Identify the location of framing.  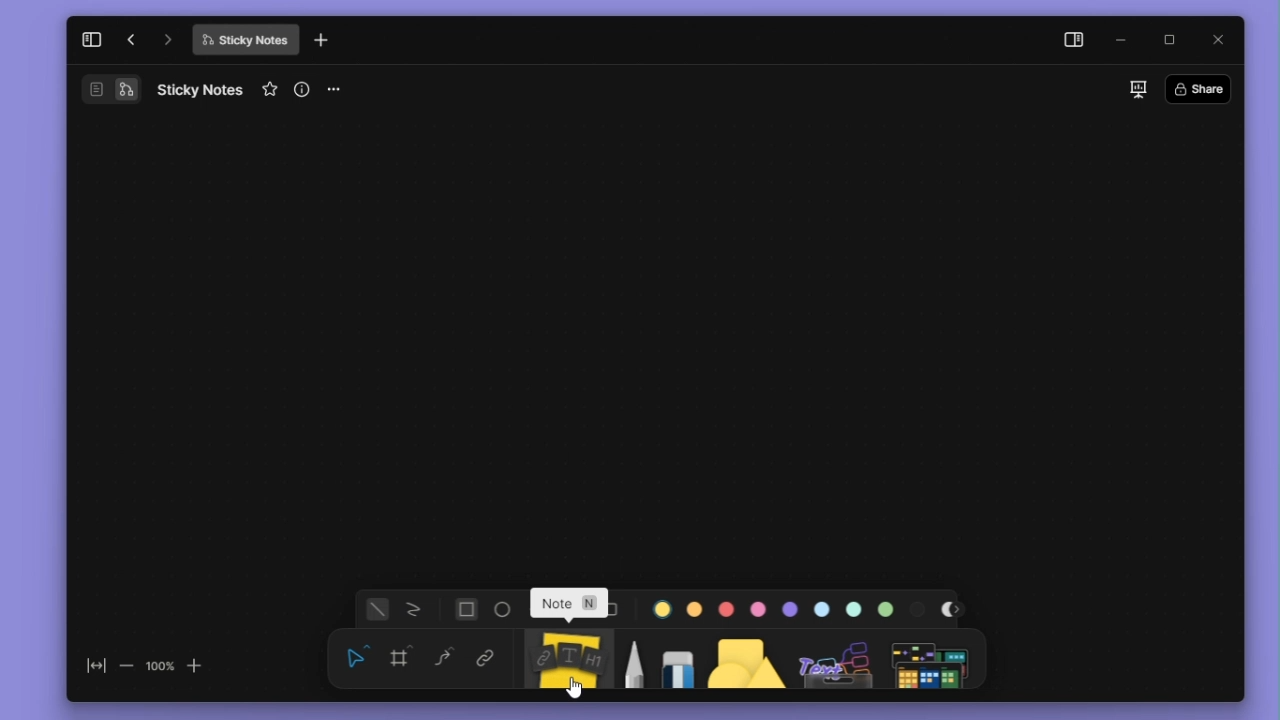
(401, 661).